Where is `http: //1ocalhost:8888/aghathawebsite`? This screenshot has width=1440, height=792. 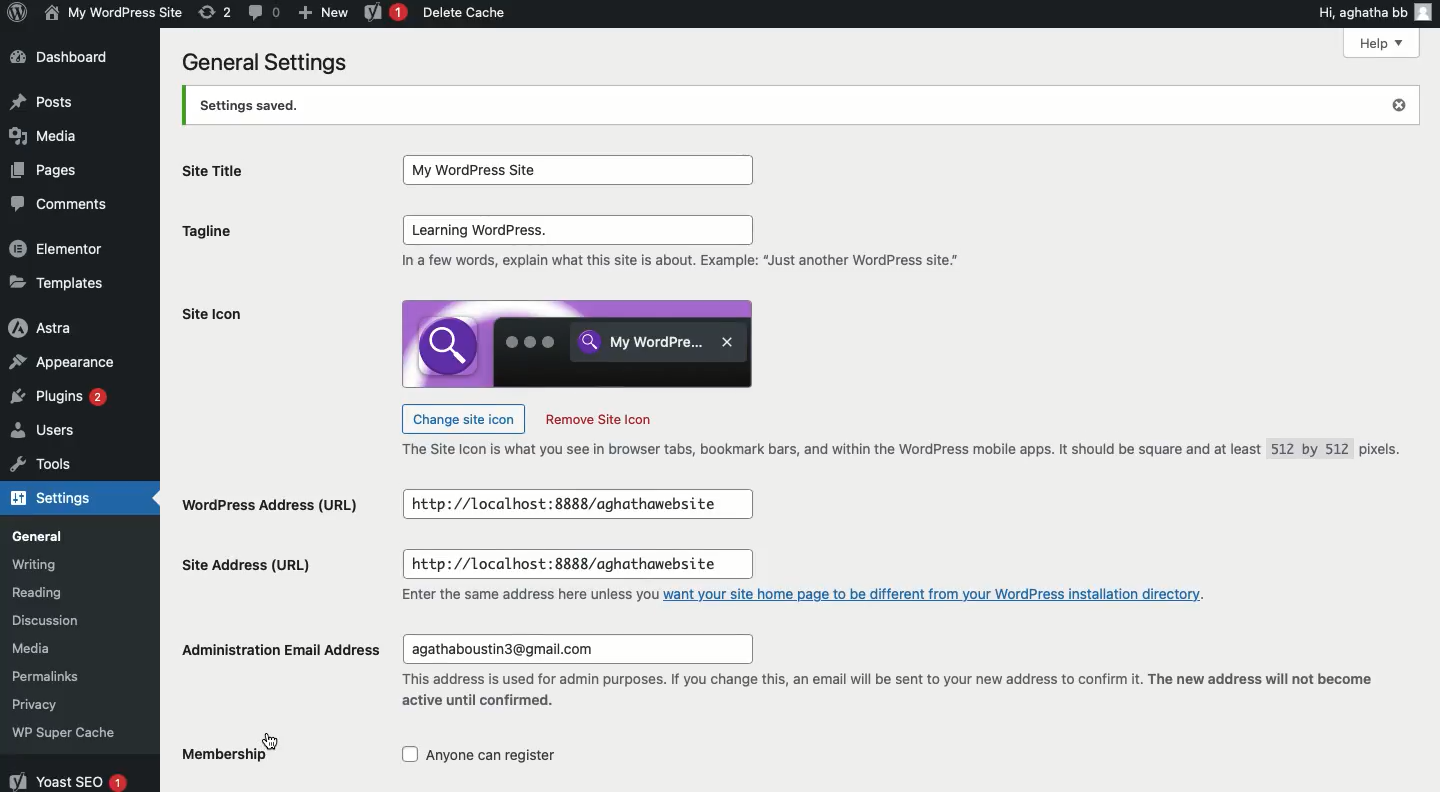
http: //1ocalhost:8888/aghathawebsite is located at coordinates (577, 565).